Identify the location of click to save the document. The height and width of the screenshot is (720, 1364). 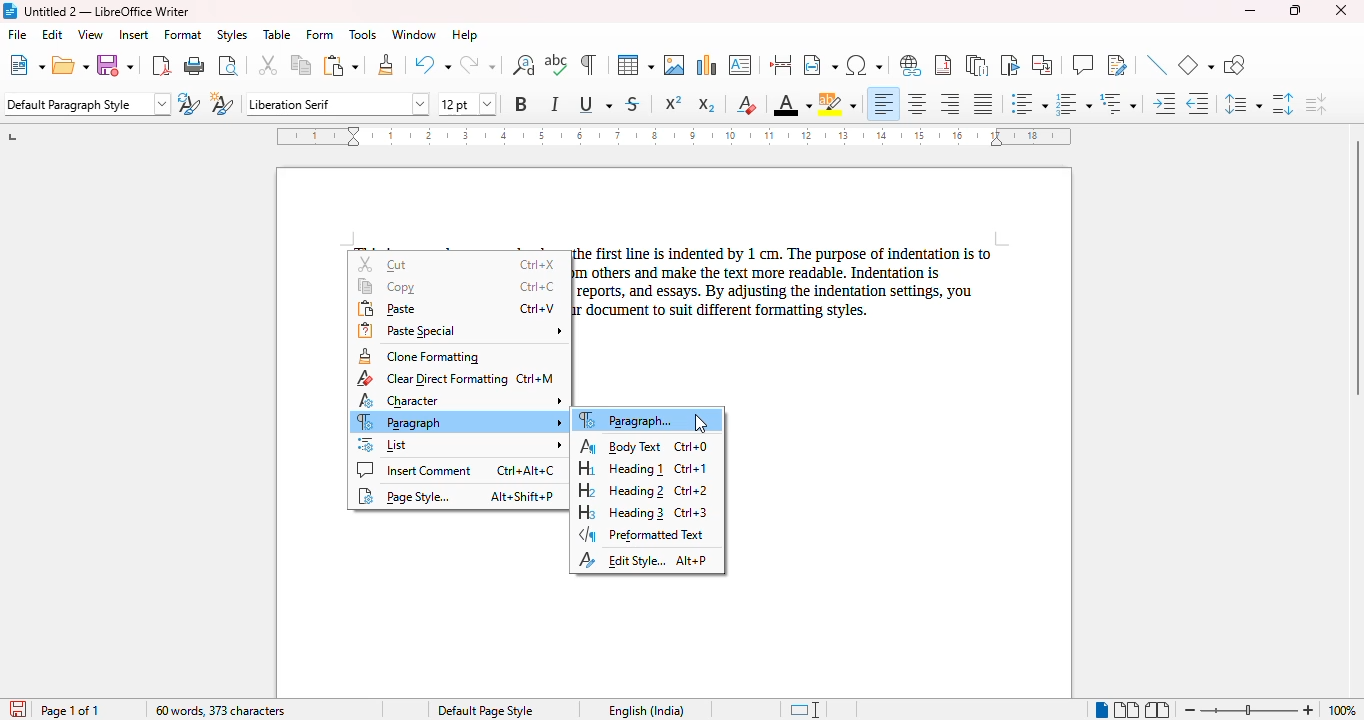
(17, 708).